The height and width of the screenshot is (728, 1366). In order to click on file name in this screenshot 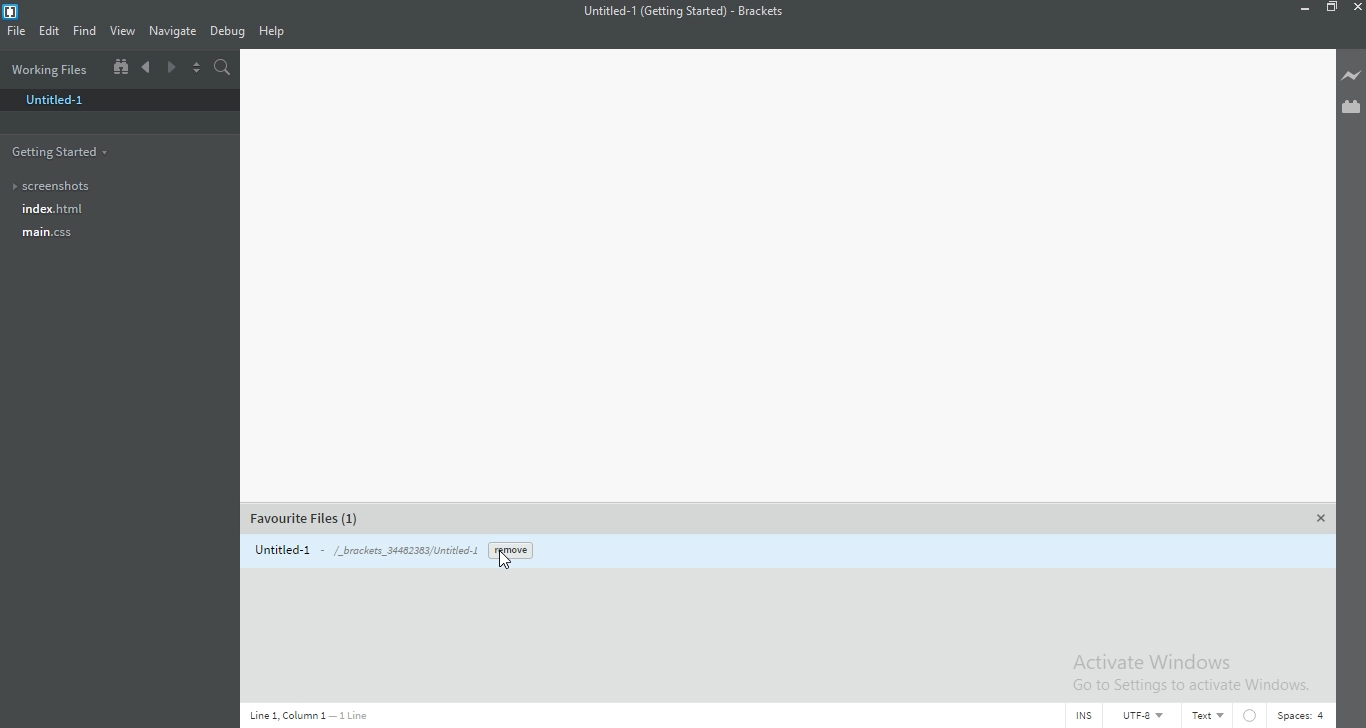, I will do `click(360, 548)`.